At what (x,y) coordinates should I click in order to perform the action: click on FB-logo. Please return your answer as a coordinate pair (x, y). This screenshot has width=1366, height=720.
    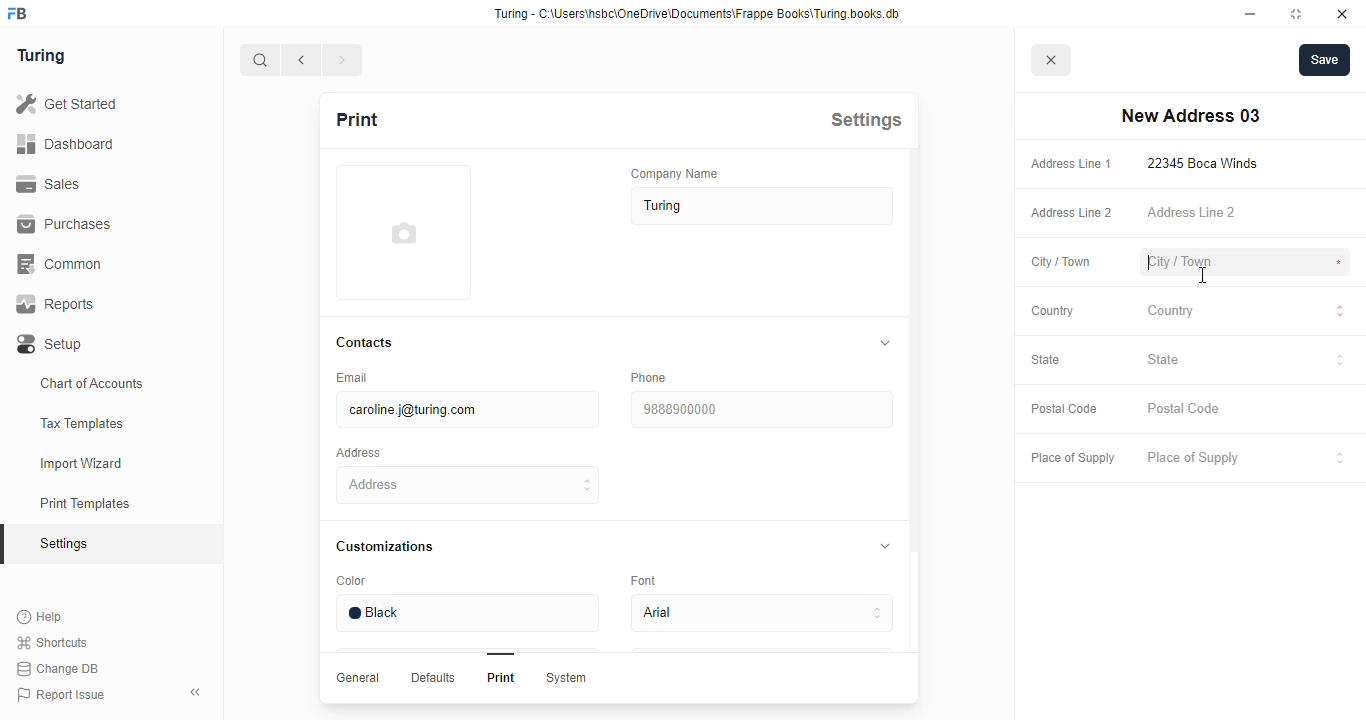
    Looking at the image, I should click on (17, 13).